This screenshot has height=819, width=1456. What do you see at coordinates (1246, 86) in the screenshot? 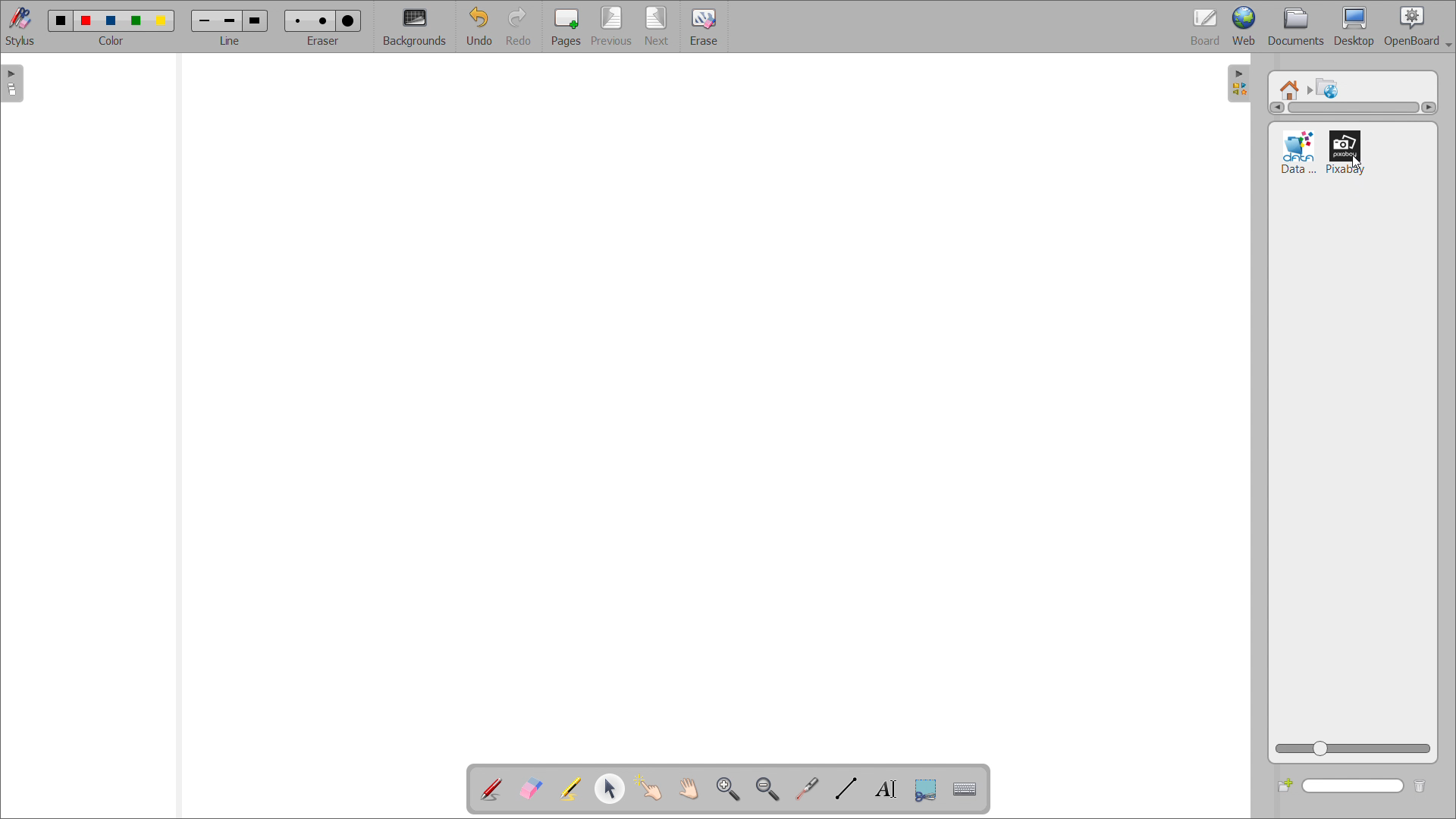
I see `Open folder view` at bounding box center [1246, 86].